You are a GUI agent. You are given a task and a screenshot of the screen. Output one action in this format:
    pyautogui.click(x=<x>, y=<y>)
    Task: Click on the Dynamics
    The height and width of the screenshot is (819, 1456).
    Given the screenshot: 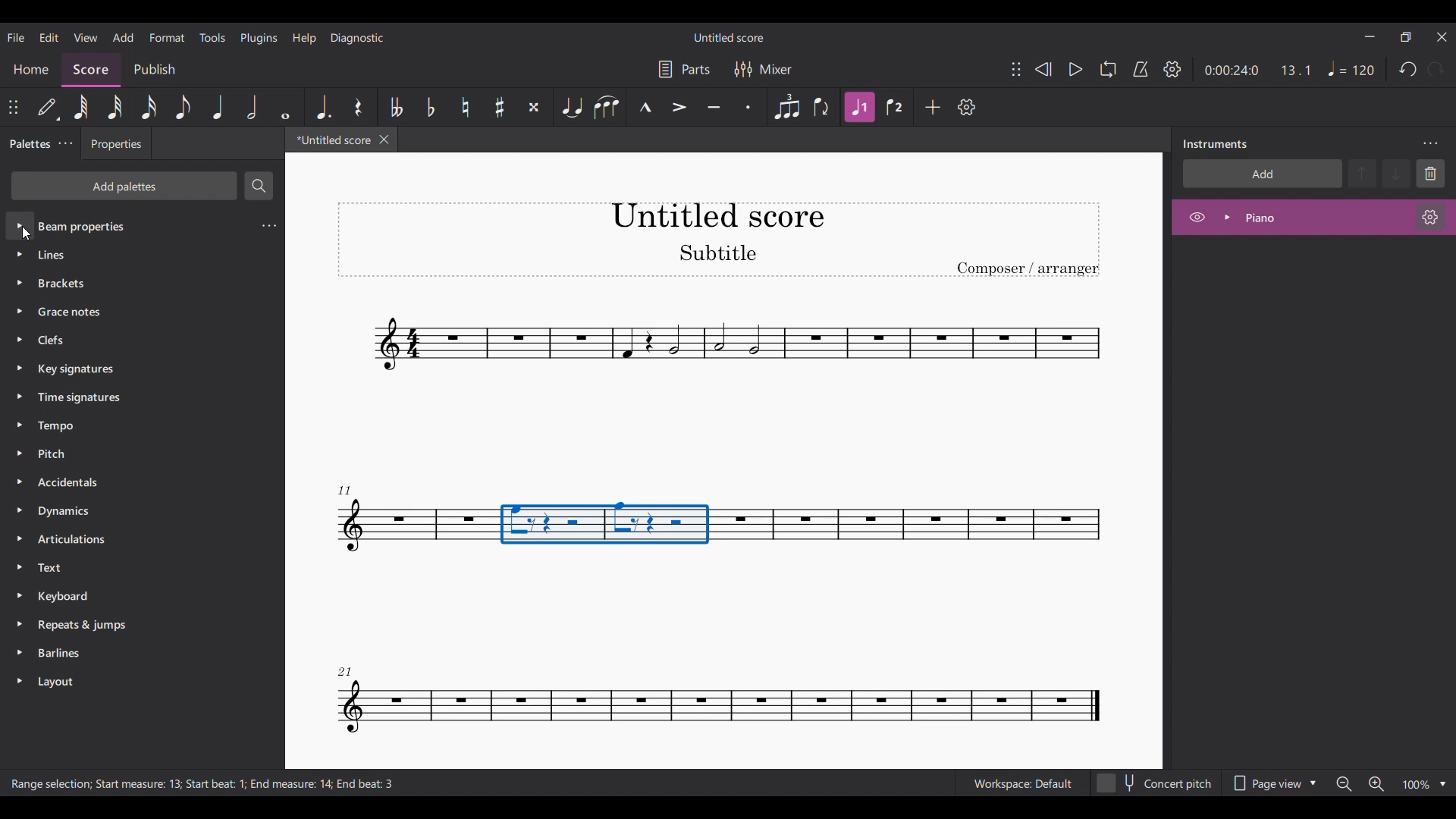 What is the action you would take?
    pyautogui.click(x=127, y=513)
    